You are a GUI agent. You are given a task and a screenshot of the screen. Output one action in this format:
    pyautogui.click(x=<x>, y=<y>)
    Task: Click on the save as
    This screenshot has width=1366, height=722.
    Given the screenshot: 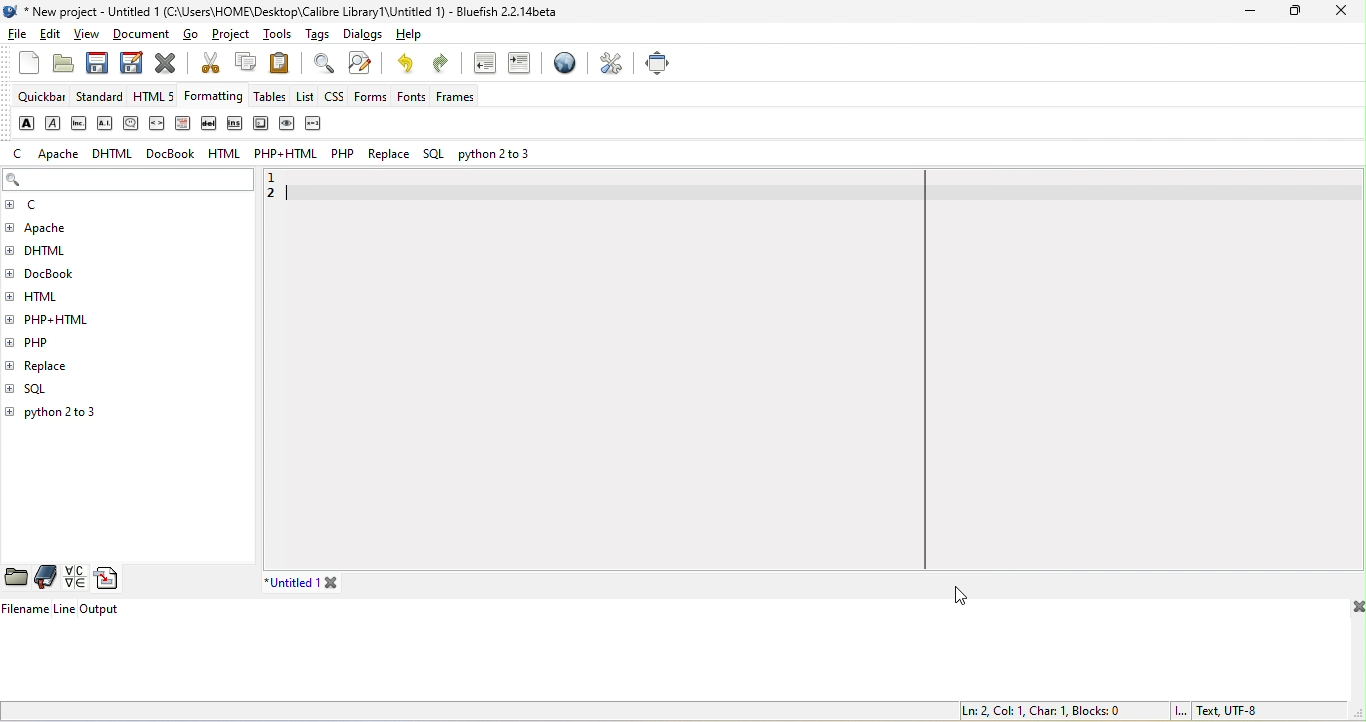 What is the action you would take?
    pyautogui.click(x=129, y=62)
    